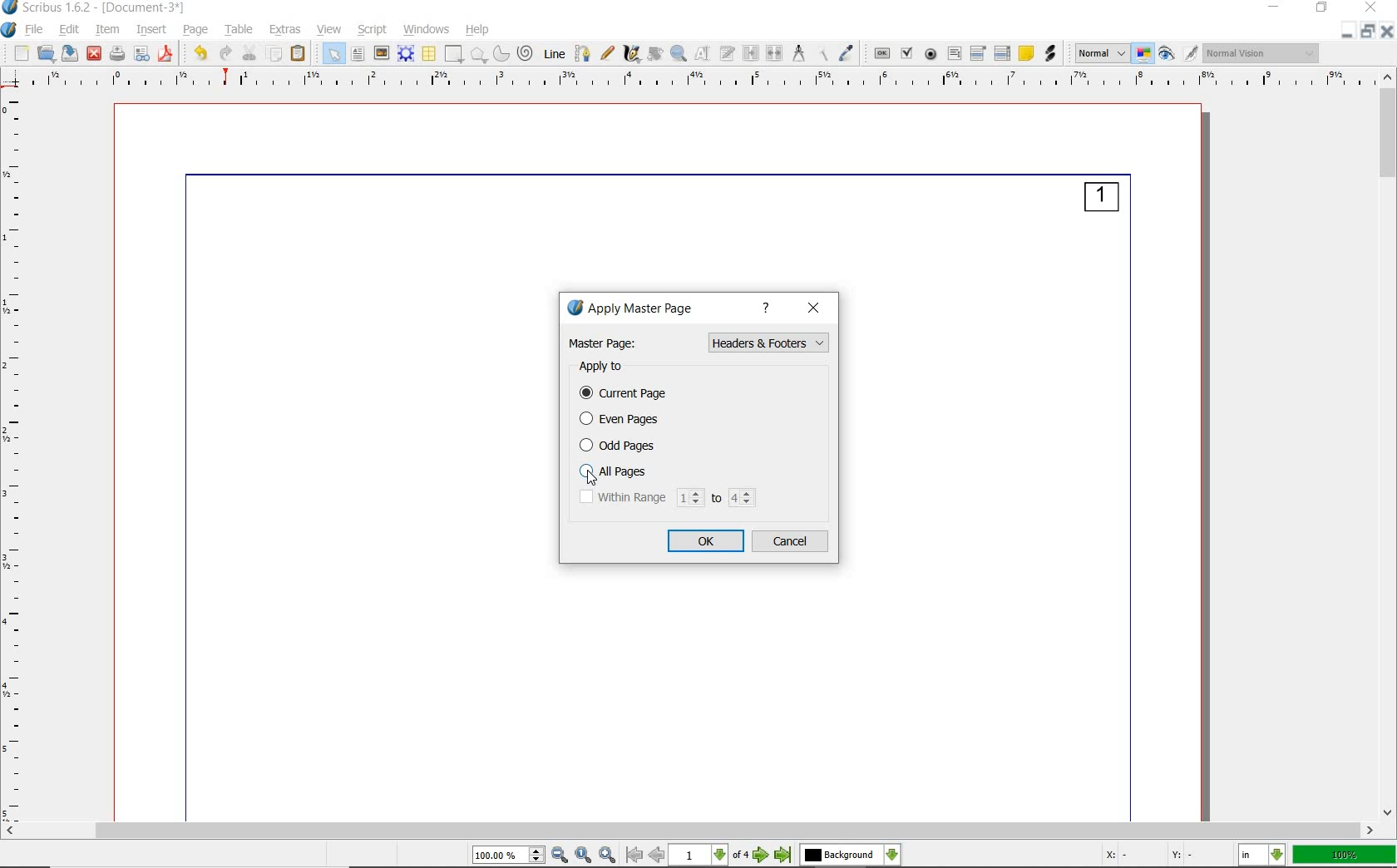  Describe the element at coordinates (195, 29) in the screenshot. I see `page` at that location.